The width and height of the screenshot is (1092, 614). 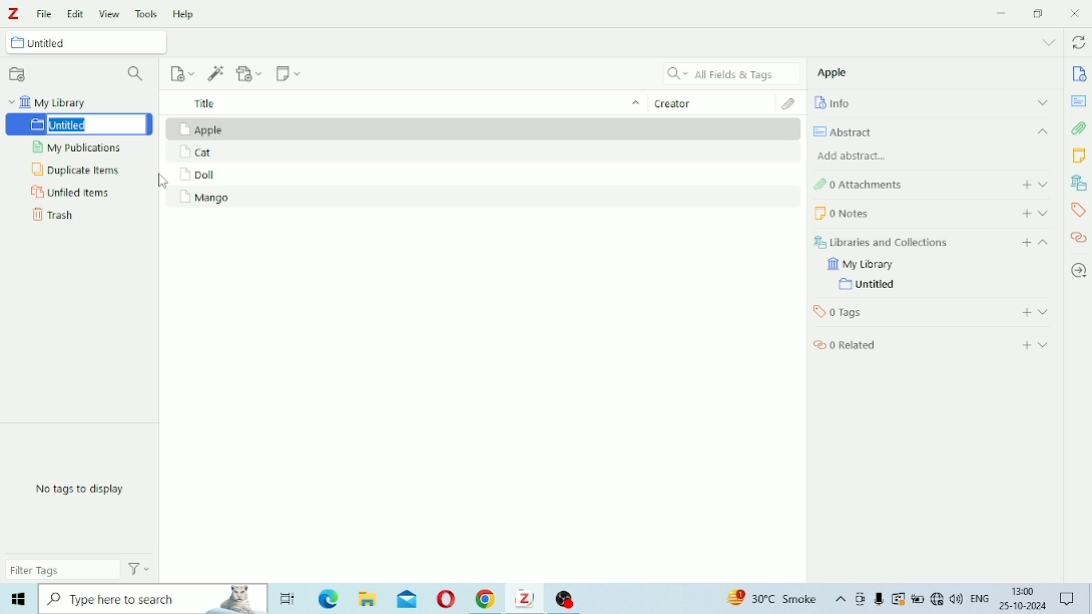 What do you see at coordinates (137, 73) in the screenshot?
I see `Filter Collections` at bounding box center [137, 73].